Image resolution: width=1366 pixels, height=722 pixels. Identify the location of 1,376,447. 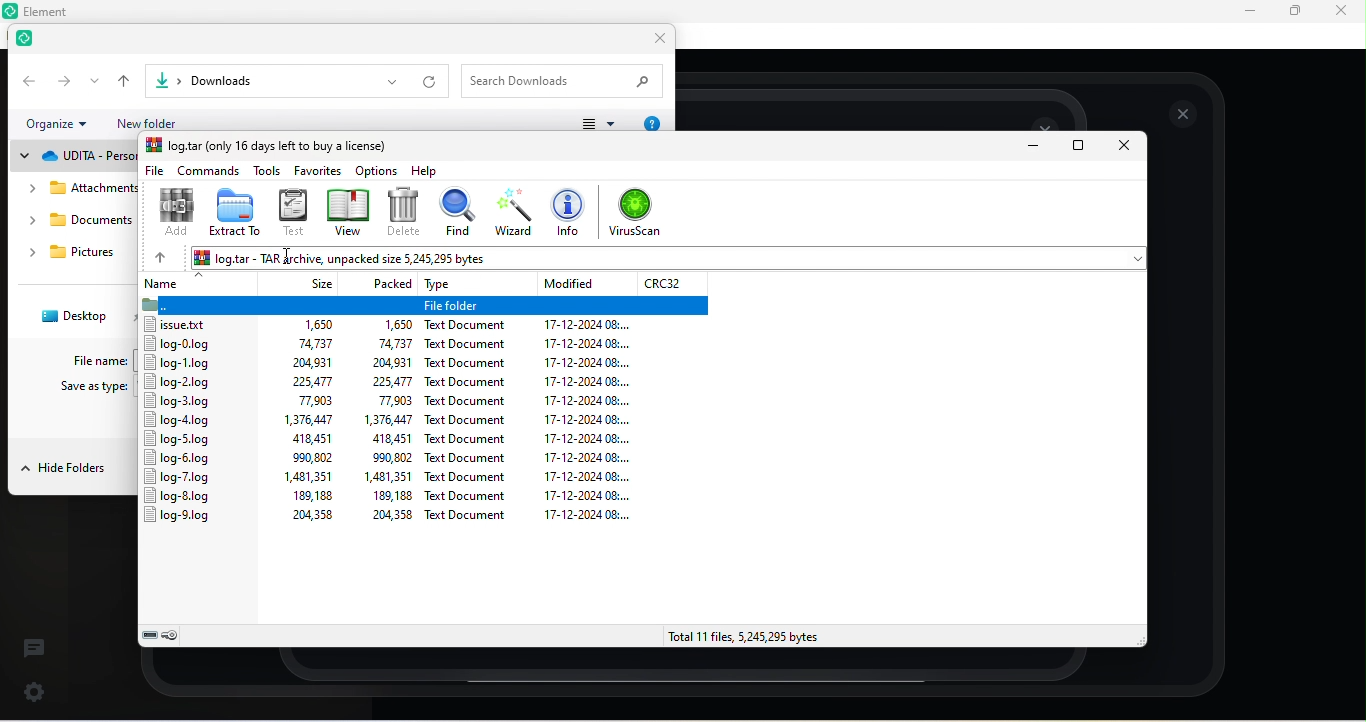
(389, 419).